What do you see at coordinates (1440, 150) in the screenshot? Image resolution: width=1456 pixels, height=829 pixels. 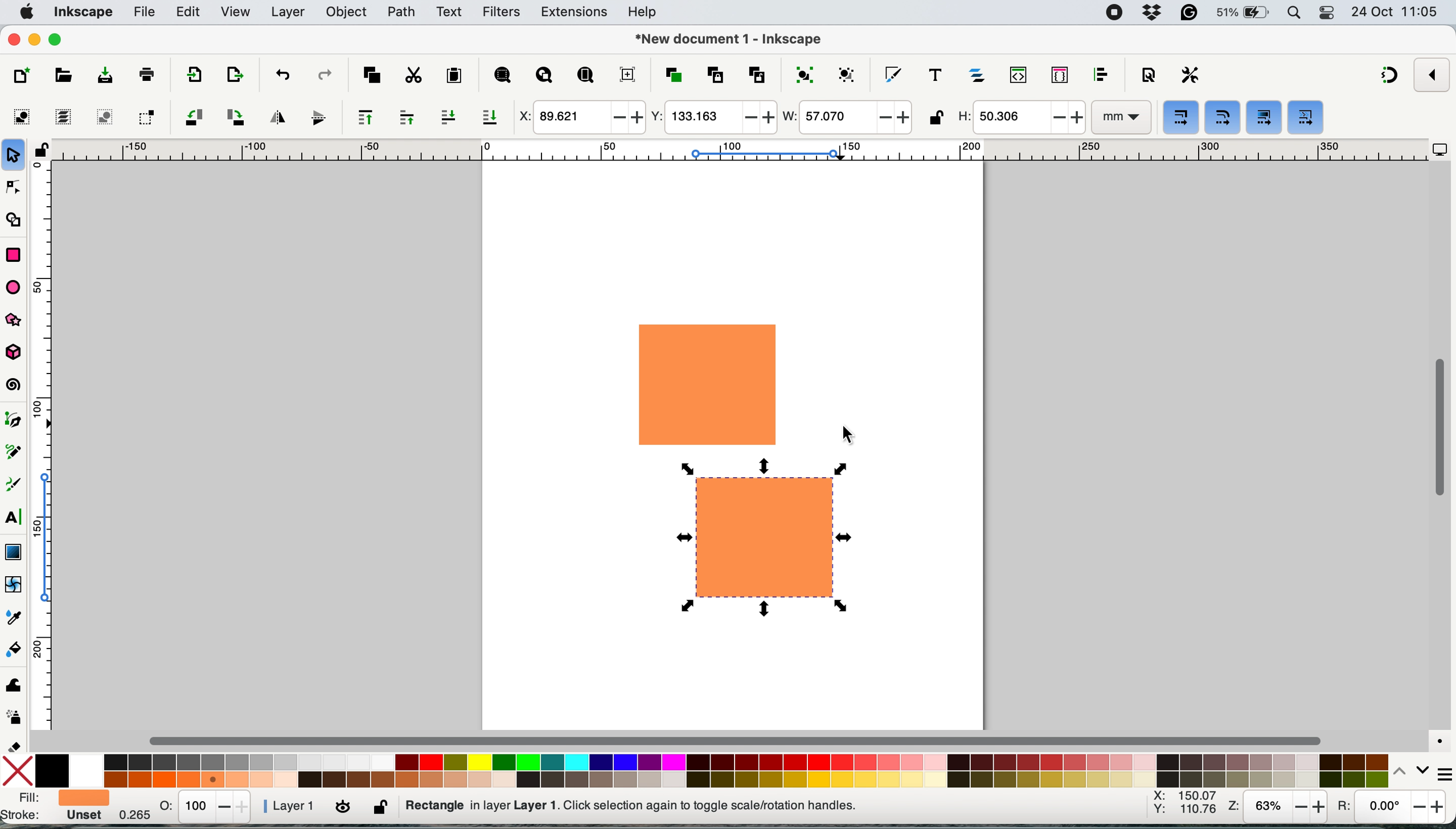 I see `display options` at bounding box center [1440, 150].